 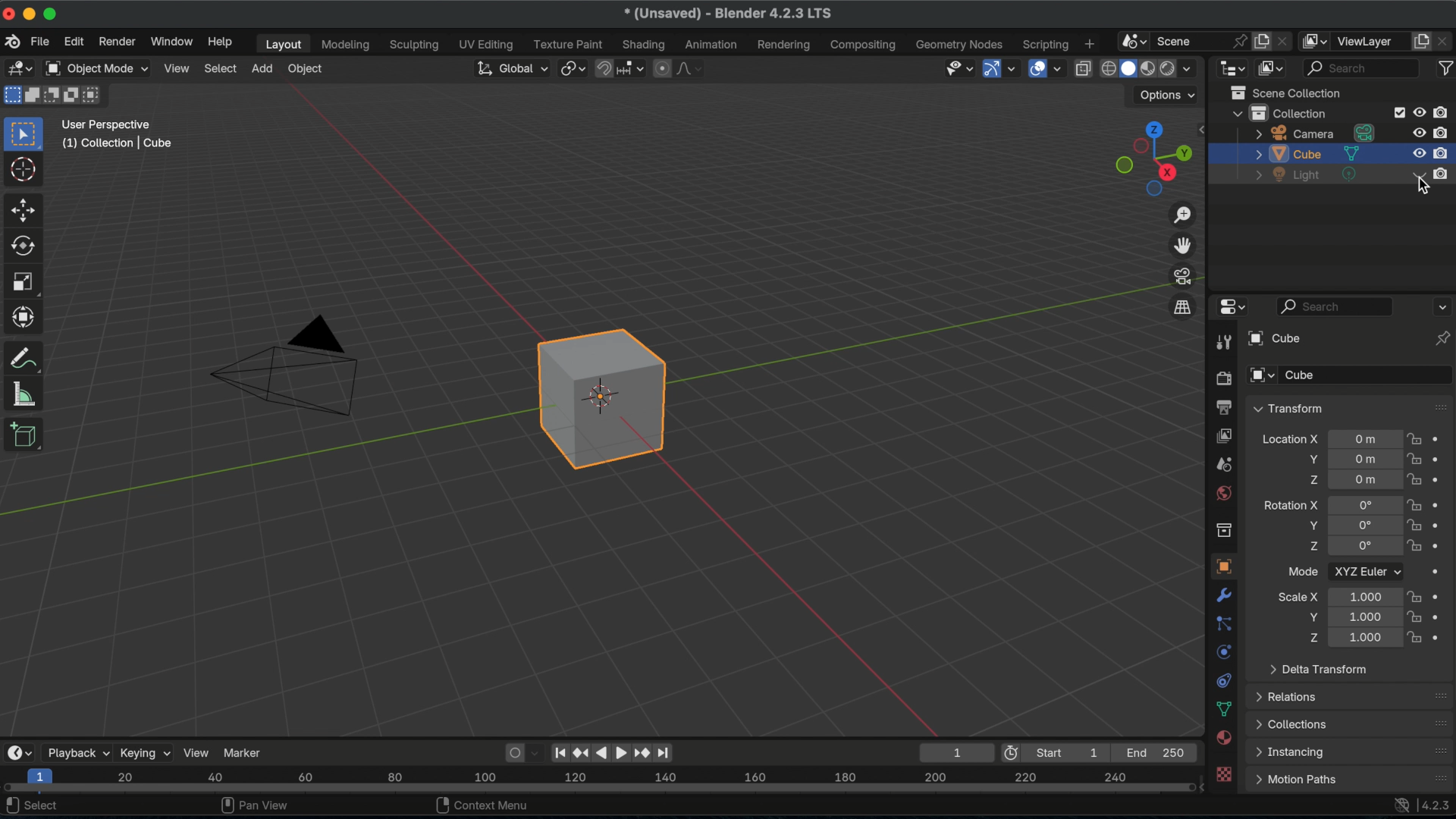 I want to click on lock location, so click(x=1416, y=503).